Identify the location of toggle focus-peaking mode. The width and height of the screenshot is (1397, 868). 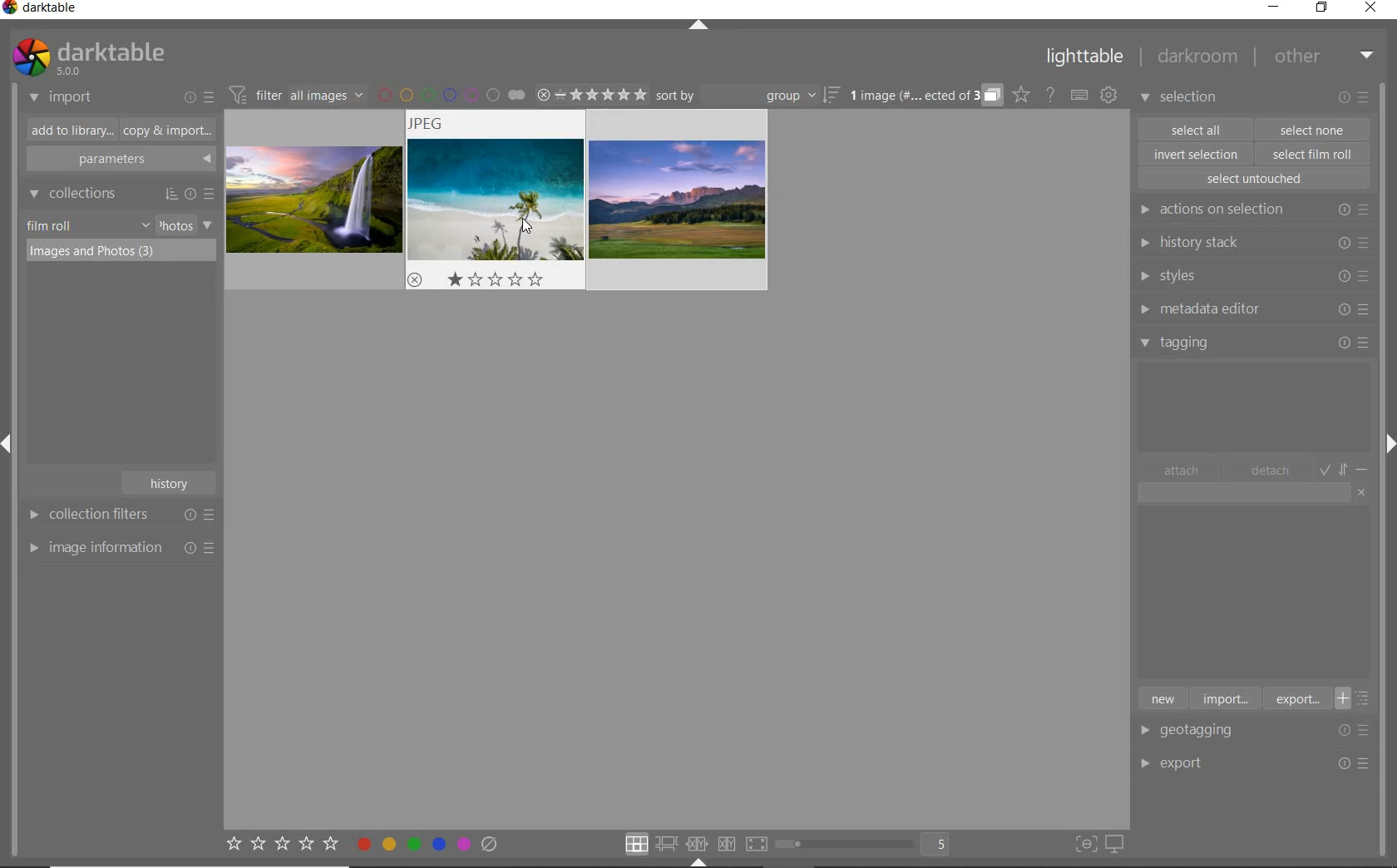
(1084, 842).